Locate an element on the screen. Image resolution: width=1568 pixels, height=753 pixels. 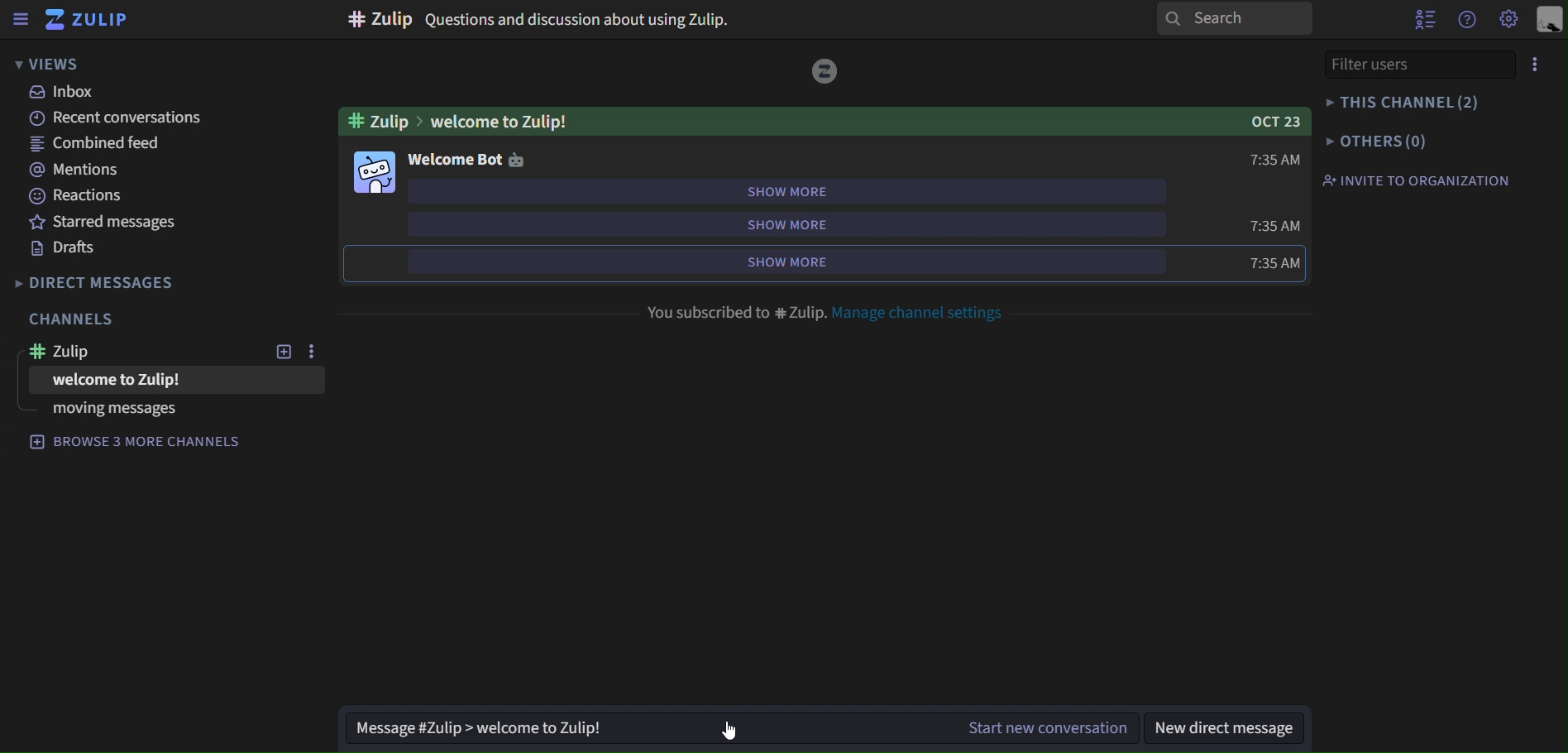
filter users is located at coordinates (1407, 65).